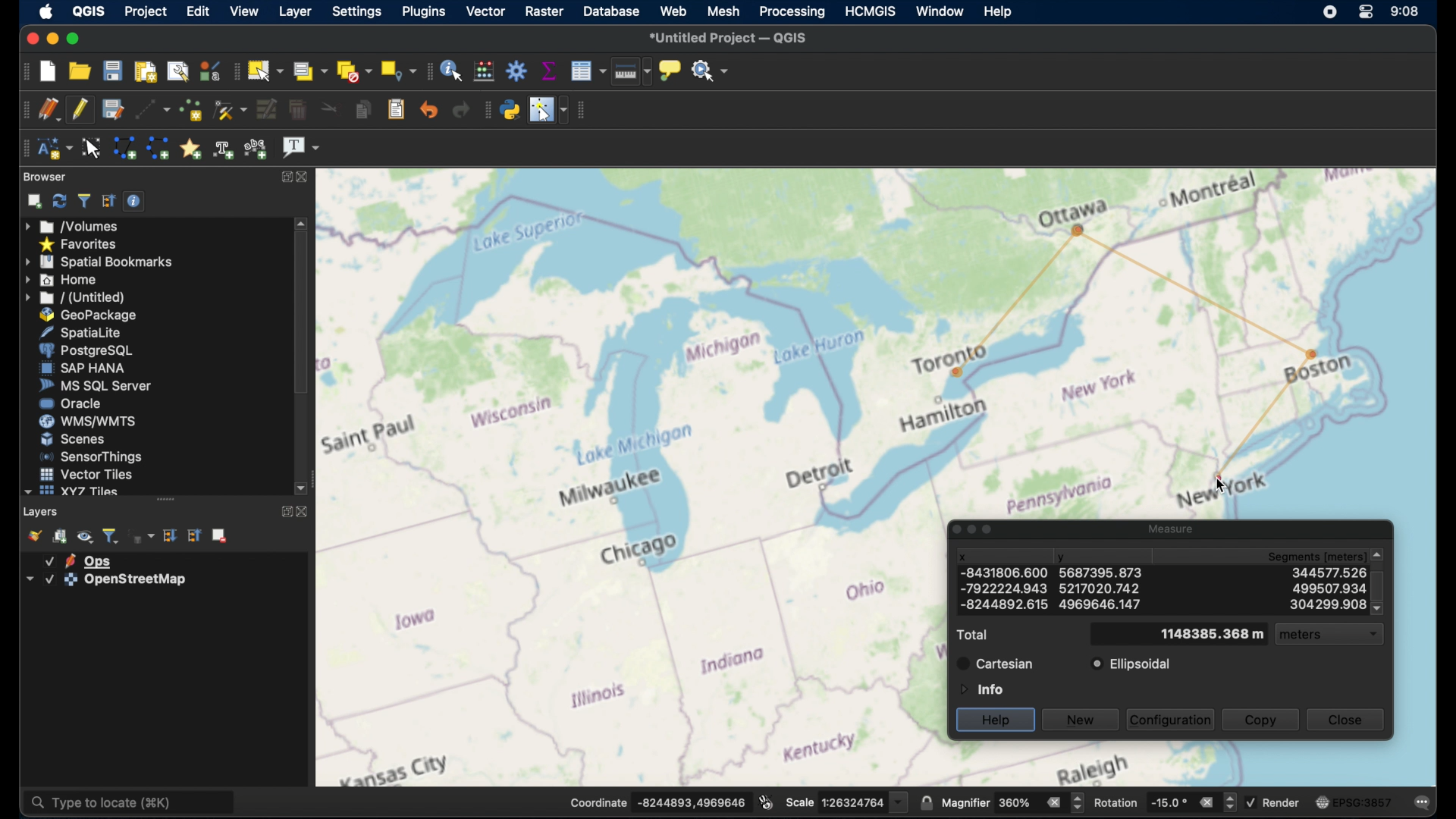 The image size is (1456, 819). Describe the element at coordinates (73, 38) in the screenshot. I see `maximize` at that location.